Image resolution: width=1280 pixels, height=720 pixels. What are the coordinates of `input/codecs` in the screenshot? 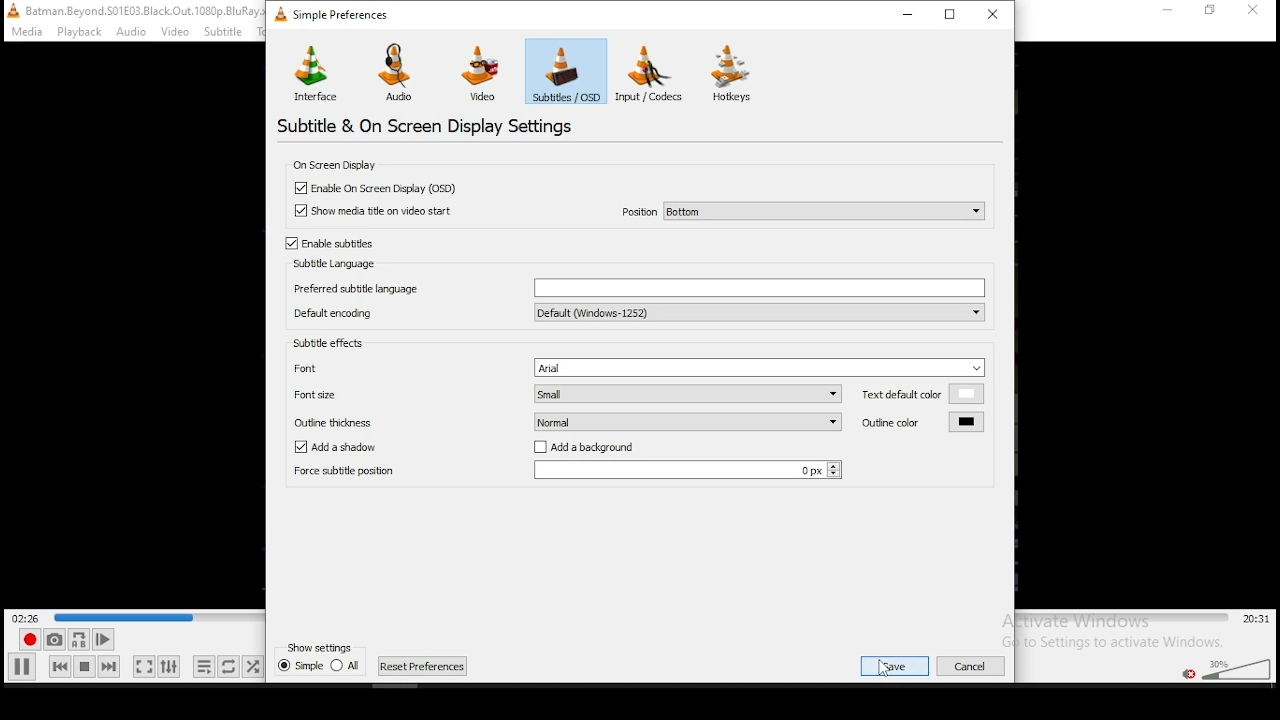 It's located at (654, 73).